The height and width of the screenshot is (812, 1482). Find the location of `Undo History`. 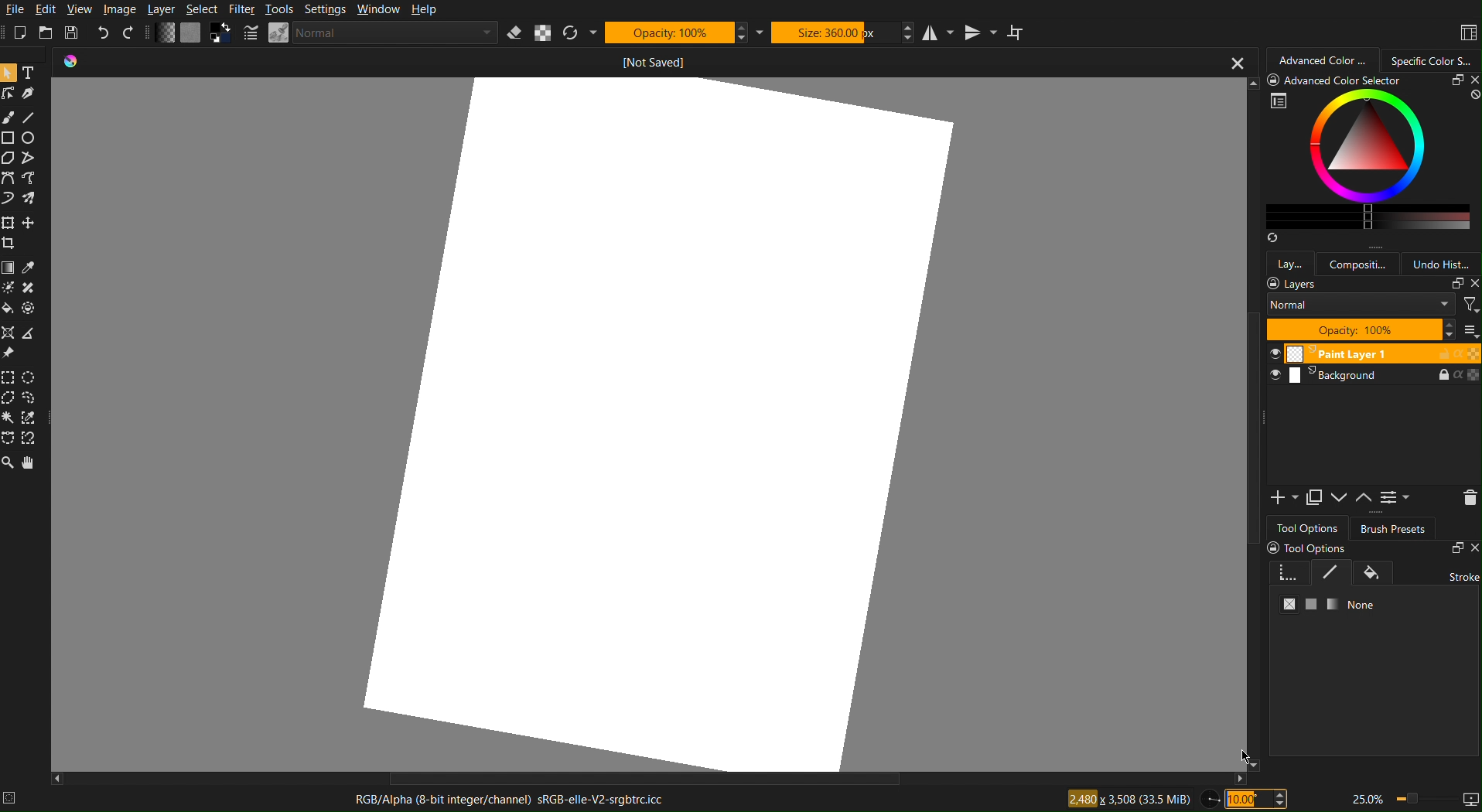

Undo History is located at coordinates (1444, 264).